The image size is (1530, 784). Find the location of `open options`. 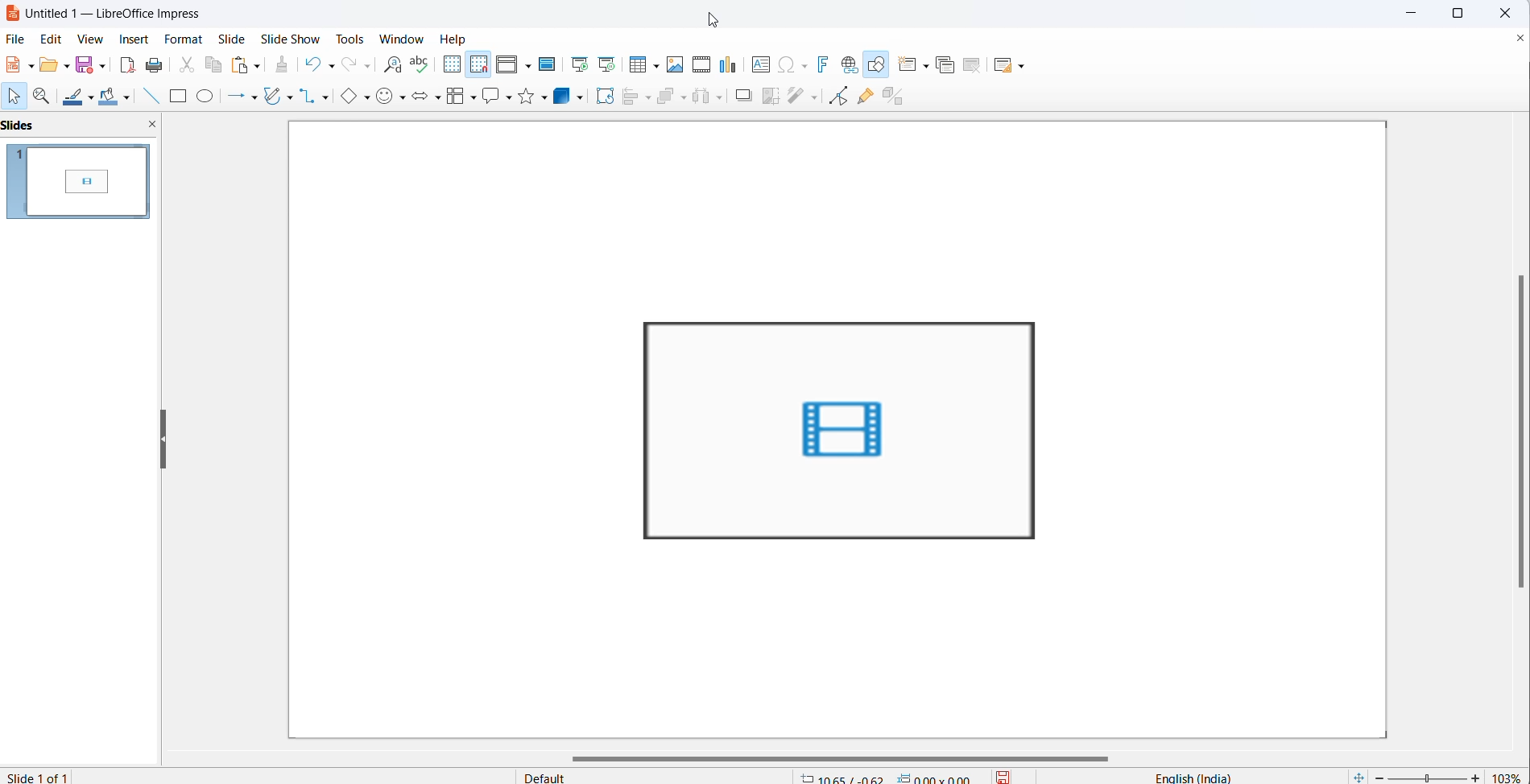

open options is located at coordinates (65, 66).